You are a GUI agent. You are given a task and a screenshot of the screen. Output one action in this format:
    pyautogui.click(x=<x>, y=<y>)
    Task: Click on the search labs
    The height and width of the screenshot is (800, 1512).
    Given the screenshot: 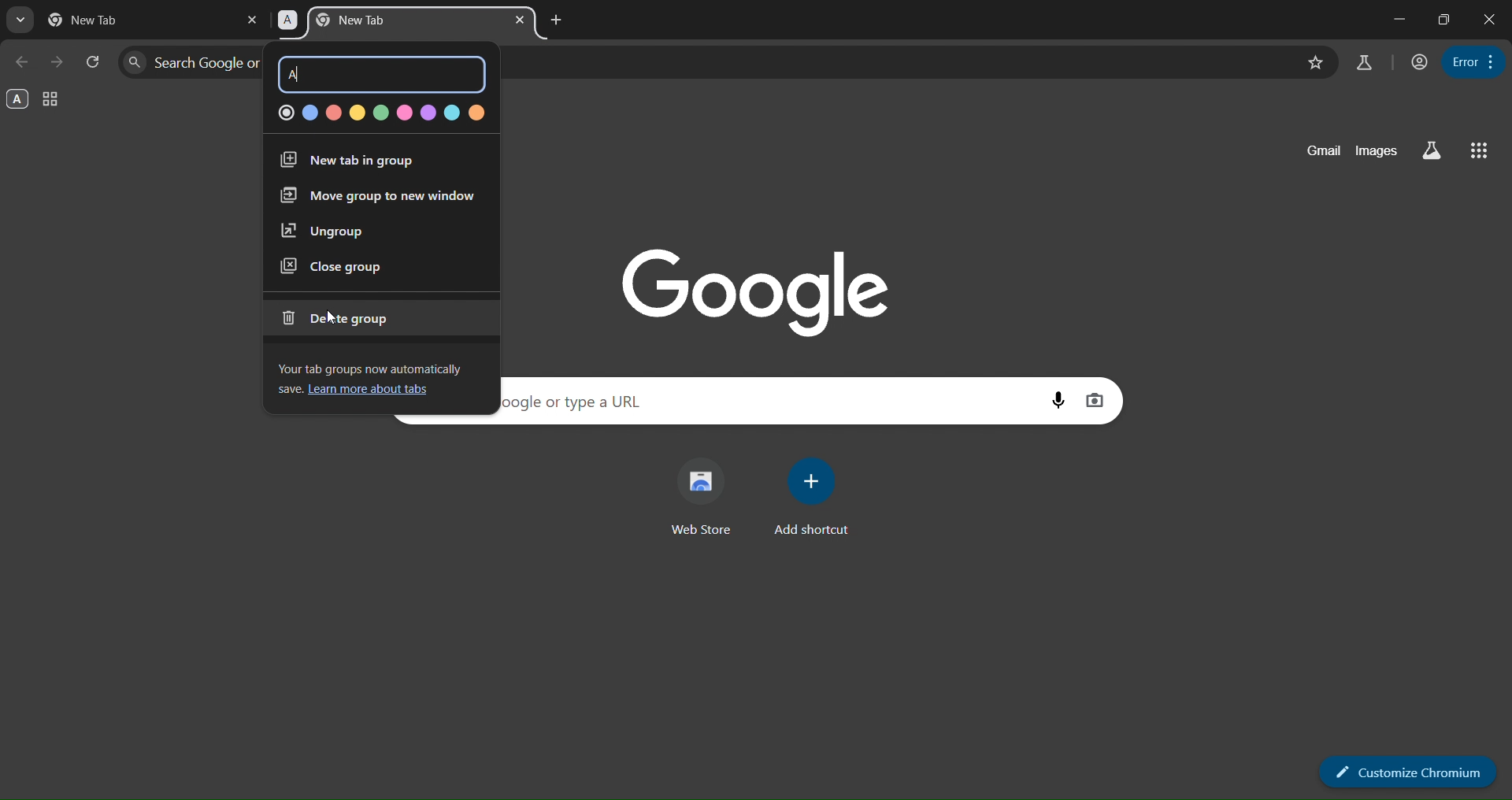 What is the action you would take?
    pyautogui.click(x=1429, y=151)
    